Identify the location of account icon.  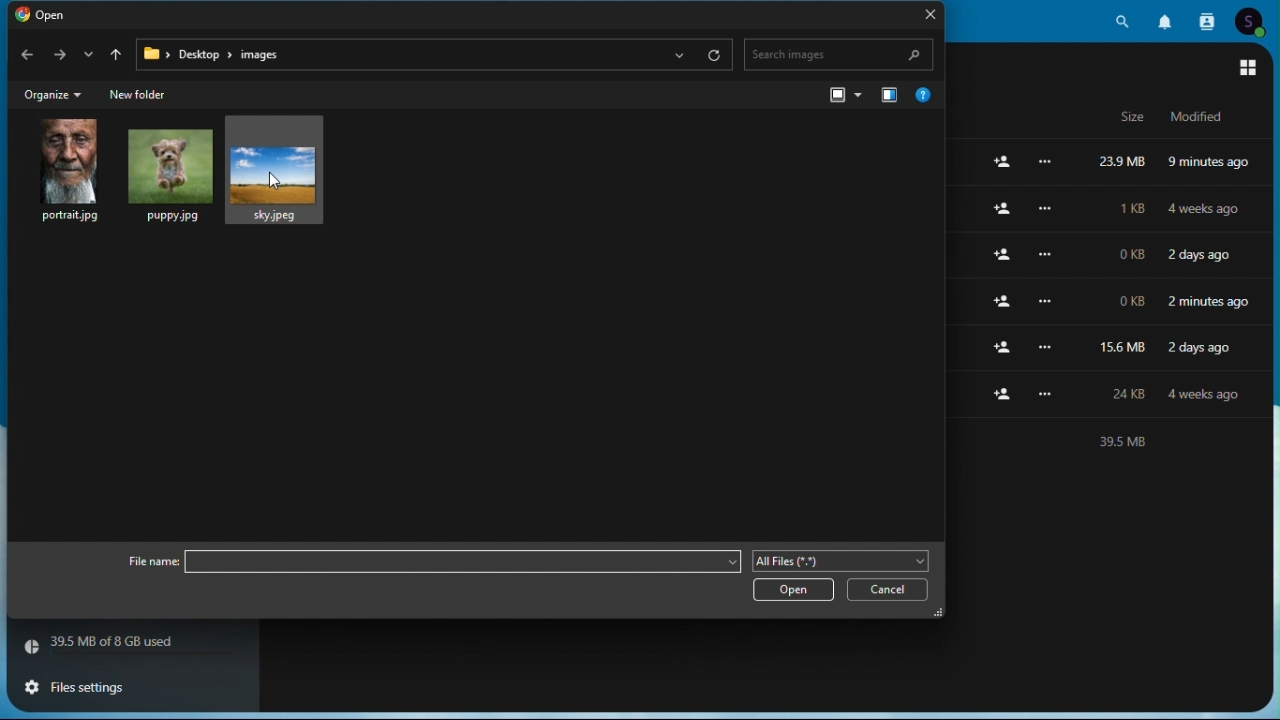
(1255, 20).